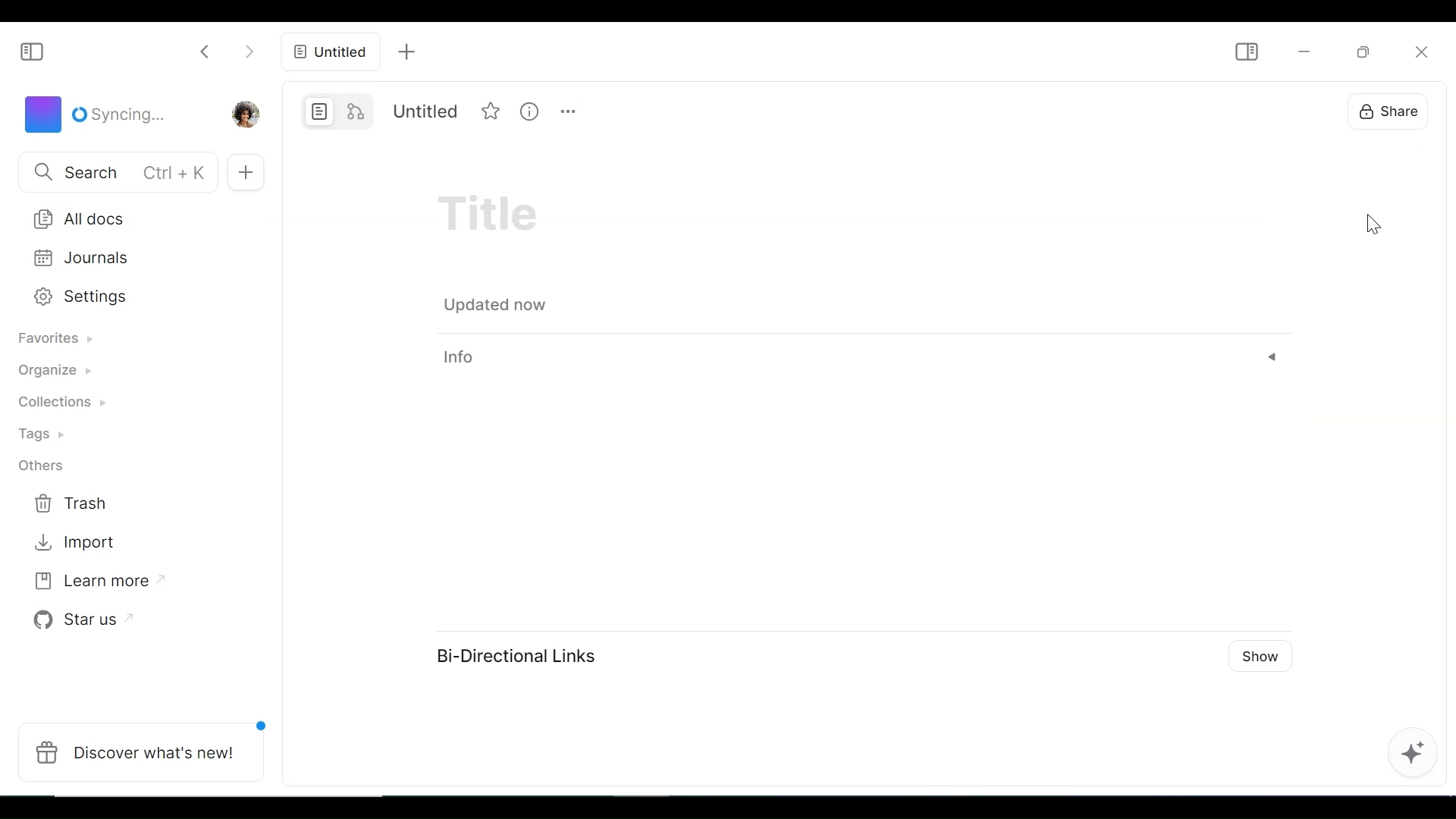 This screenshot has width=1456, height=819. I want to click on Add new tab, so click(406, 52).